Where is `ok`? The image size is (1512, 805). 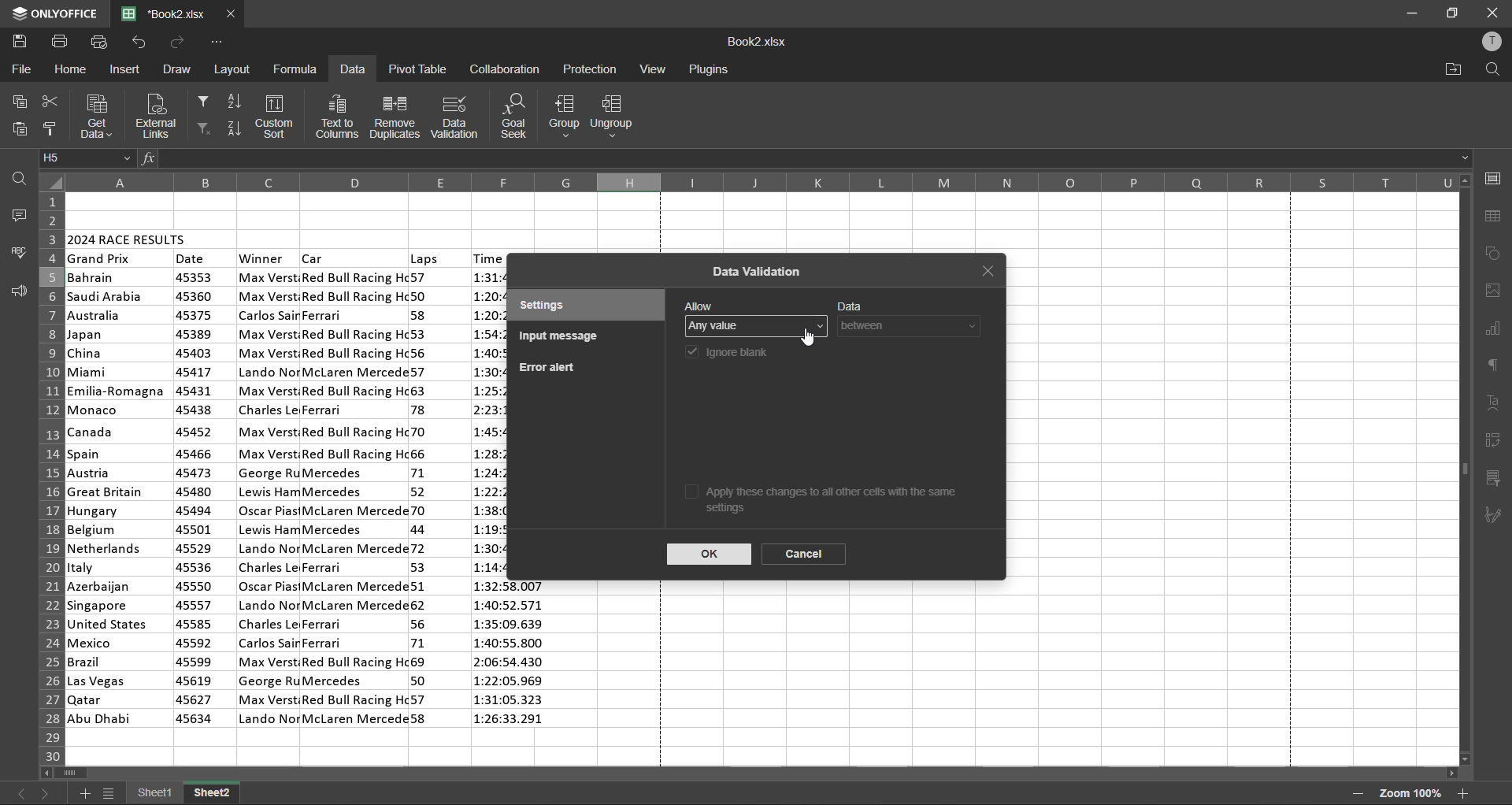 ok is located at coordinates (710, 554).